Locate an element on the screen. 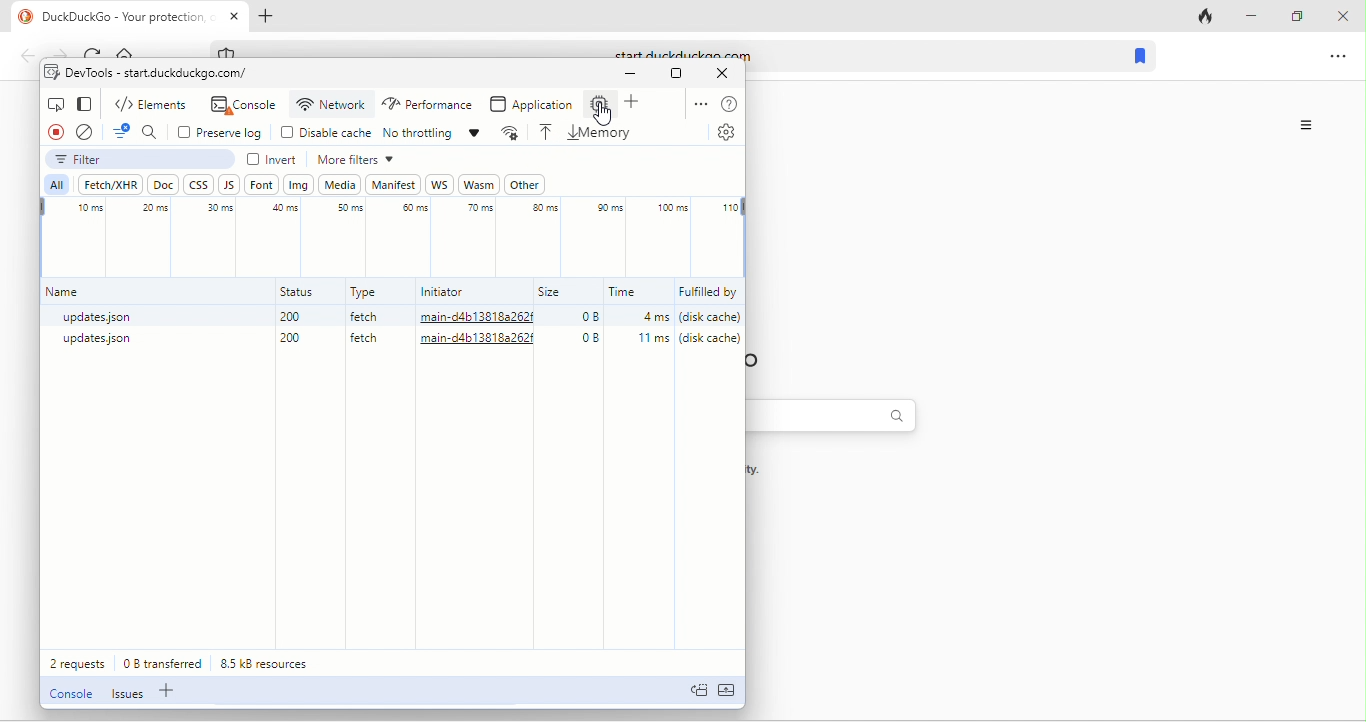 The image size is (1366, 722). clear is located at coordinates (88, 132).